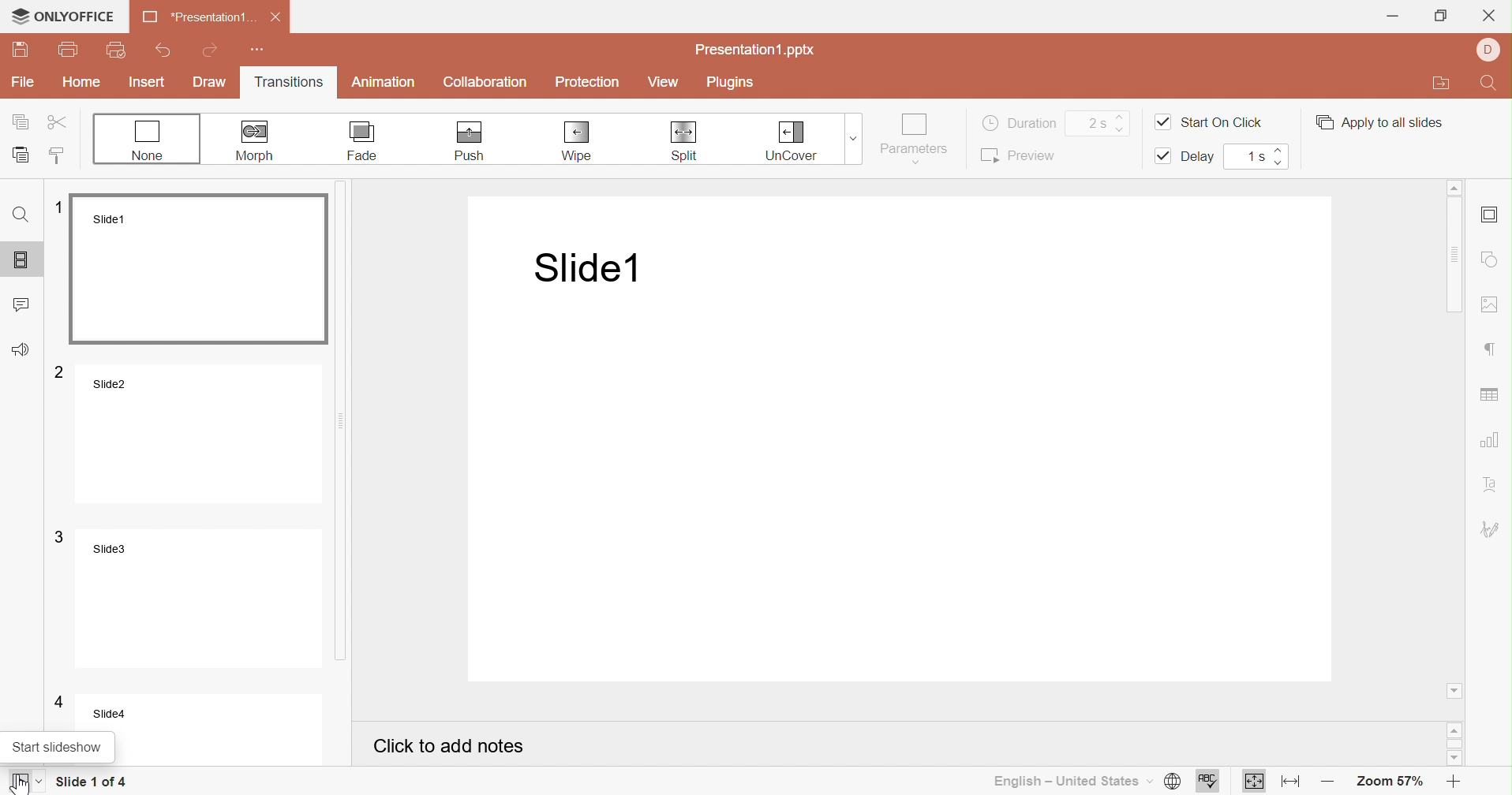 The width and height of the screenshot is (1512, 795). Describe the element at coordinates (202, 431) in the screenshot. I see `Slide2` at that location.